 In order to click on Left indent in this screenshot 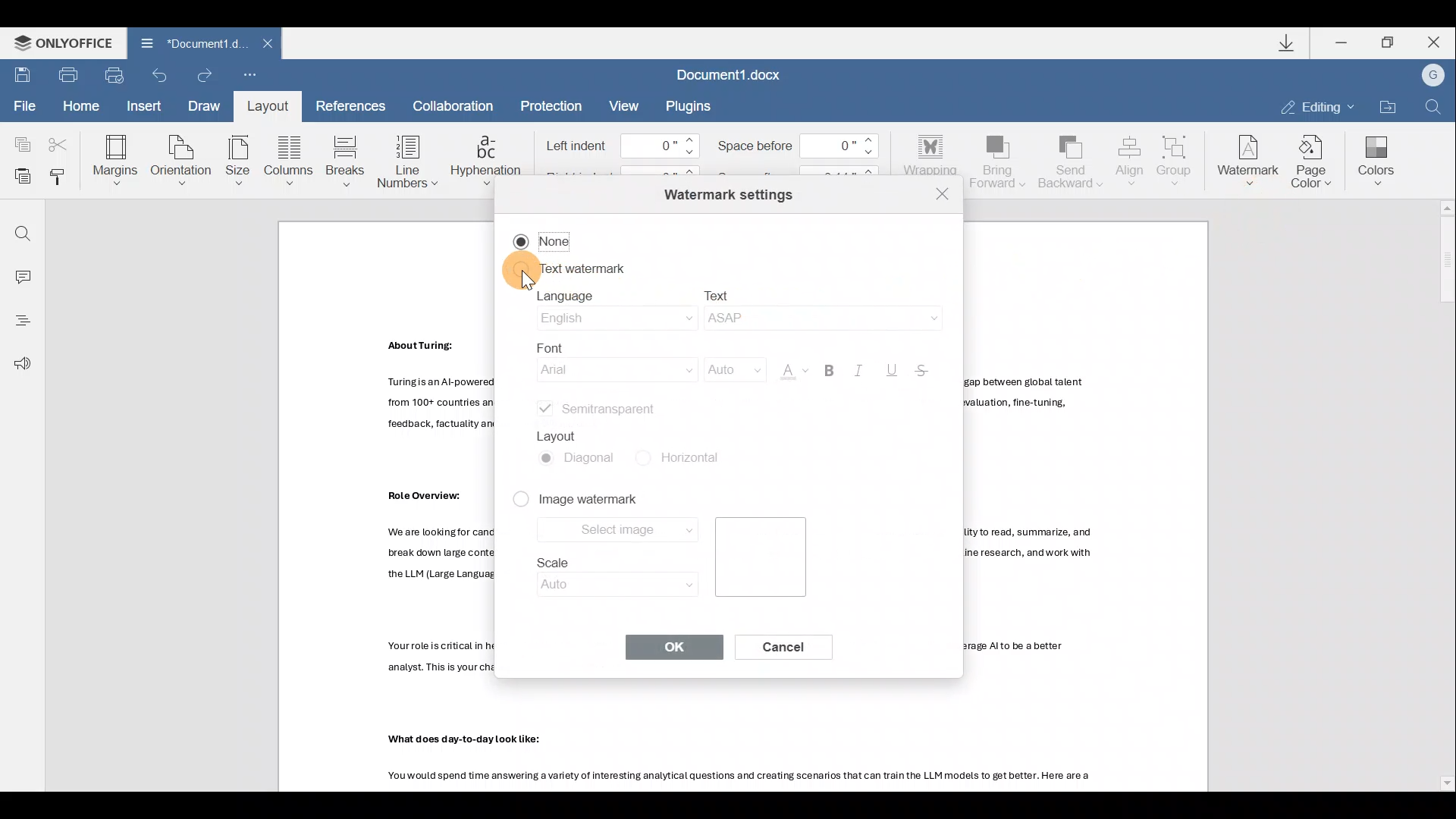, I will do `click(617, 145)`.